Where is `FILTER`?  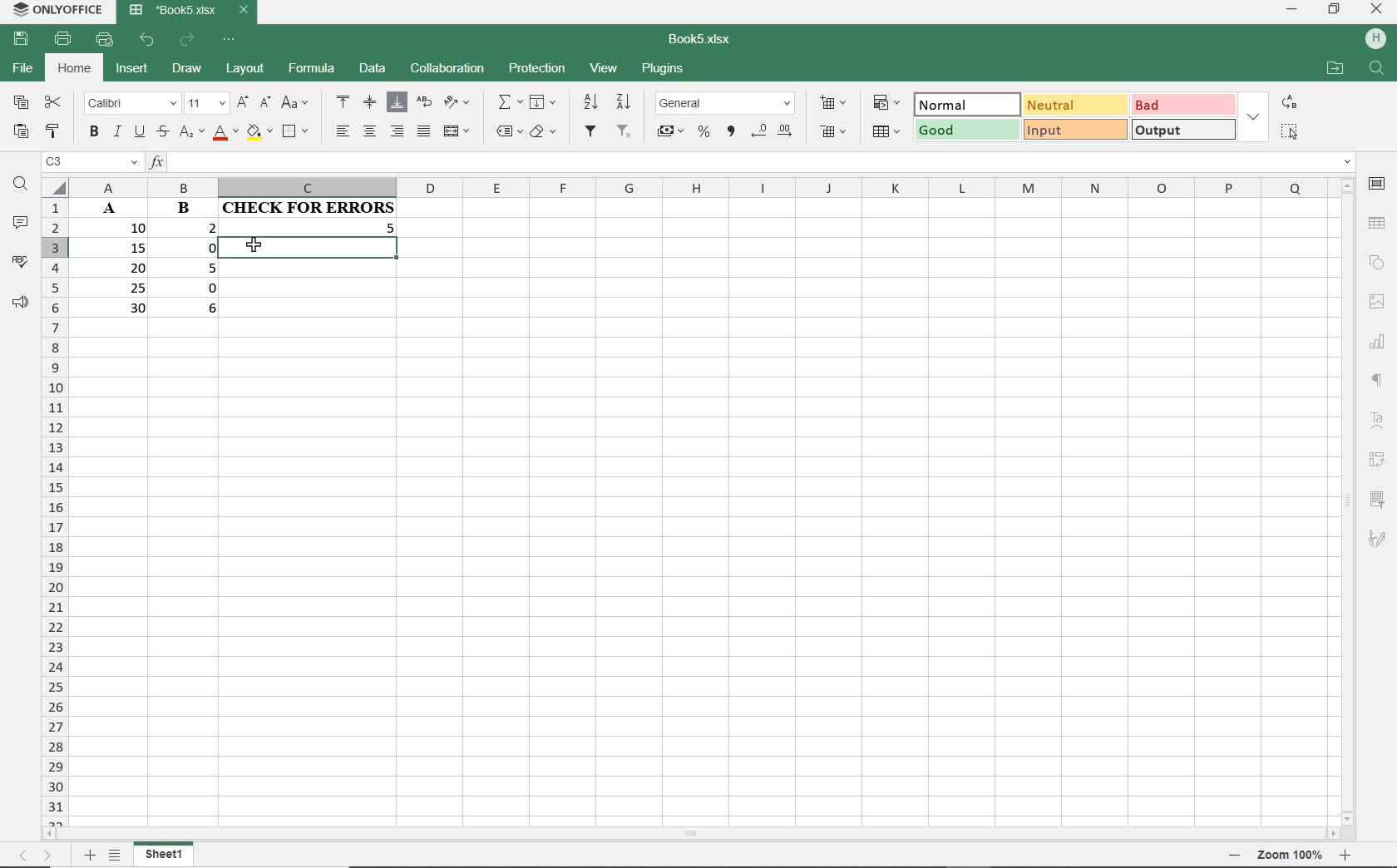
FILTER is located at coordinates (593, 134).